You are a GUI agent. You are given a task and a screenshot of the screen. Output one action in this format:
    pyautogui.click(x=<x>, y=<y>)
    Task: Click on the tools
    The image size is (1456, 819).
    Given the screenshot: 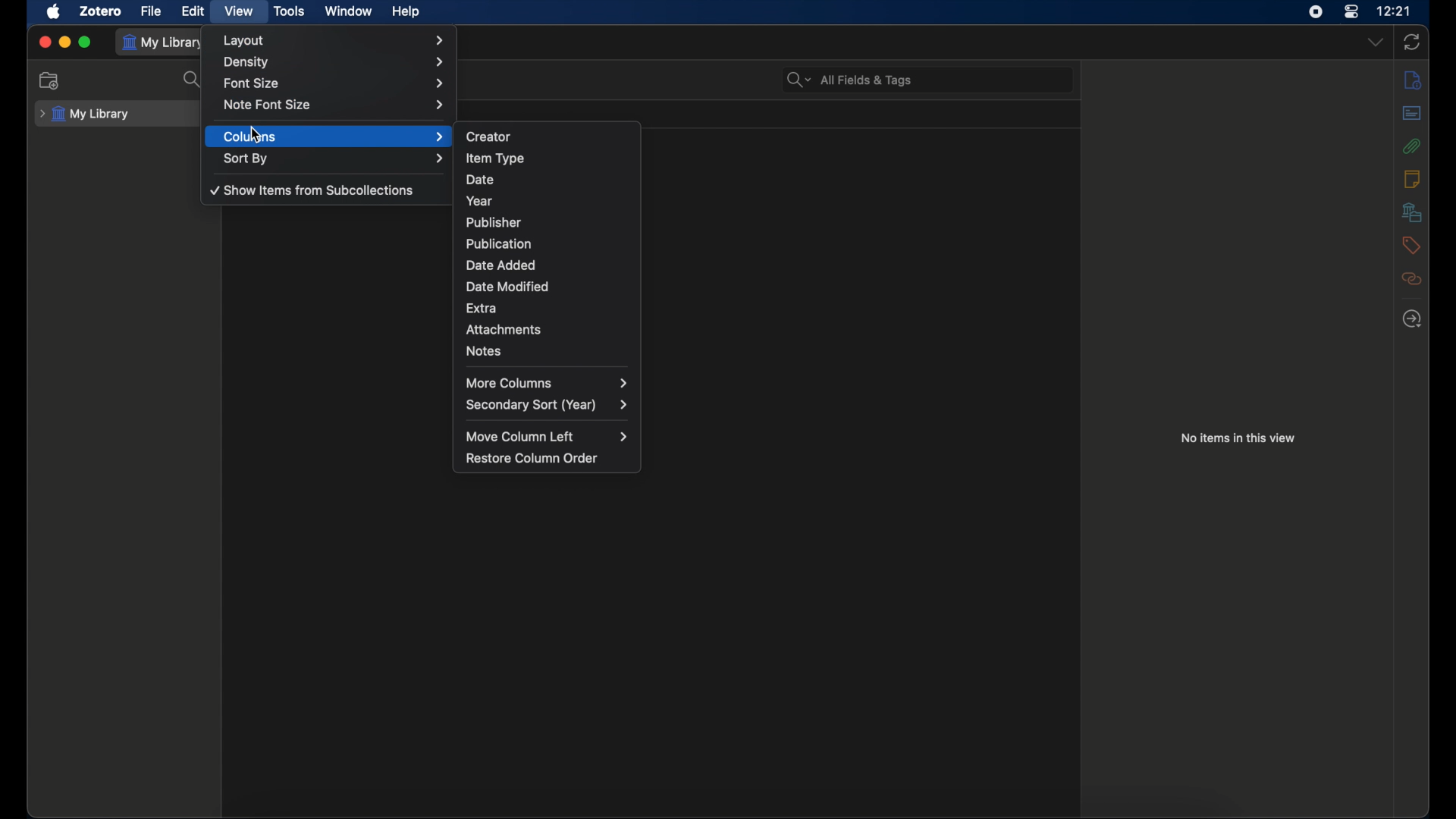 What is the action you would take?
    pyautogui.click(x=290, y=11)
    